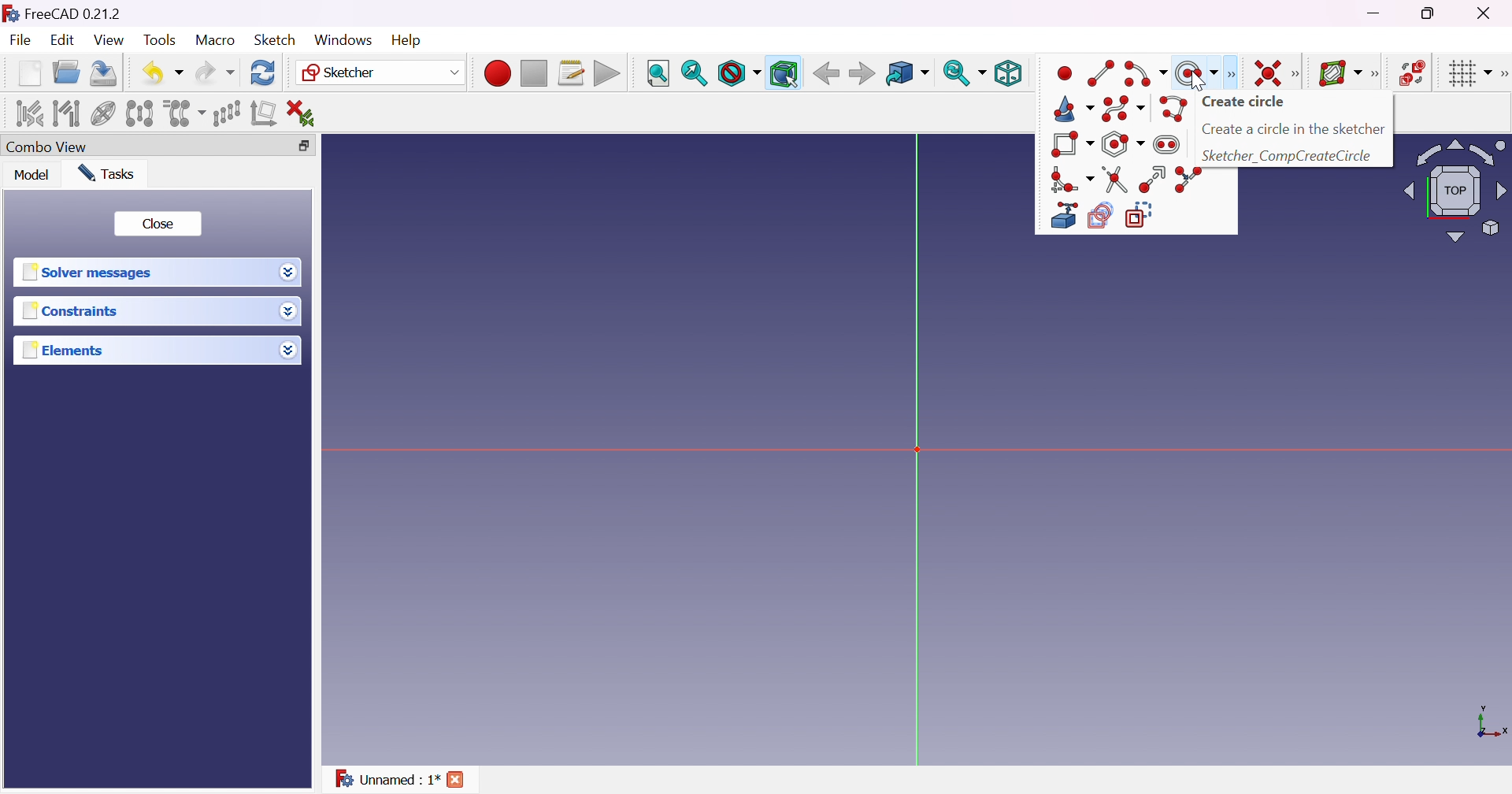 The height and width of the screenshot is (794, 1512). What do you see at coordinates (1169, 144) in the screenshot?
I see `Create slot` at bounding box center [1169, 144].